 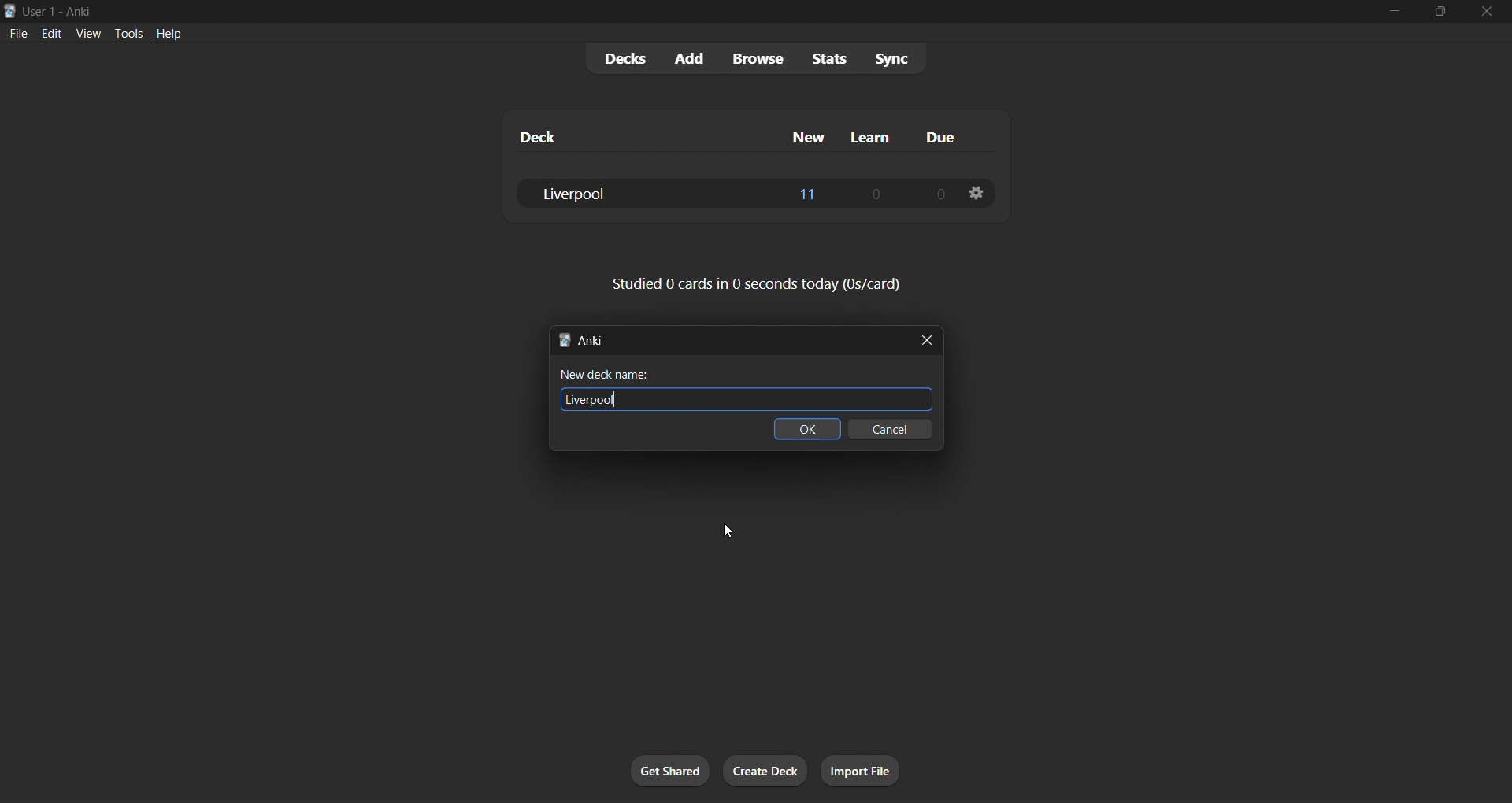 What do you see at coordinates (1489, 12) in the screenshot?
I see `close` at bounding box center [1489, 12].